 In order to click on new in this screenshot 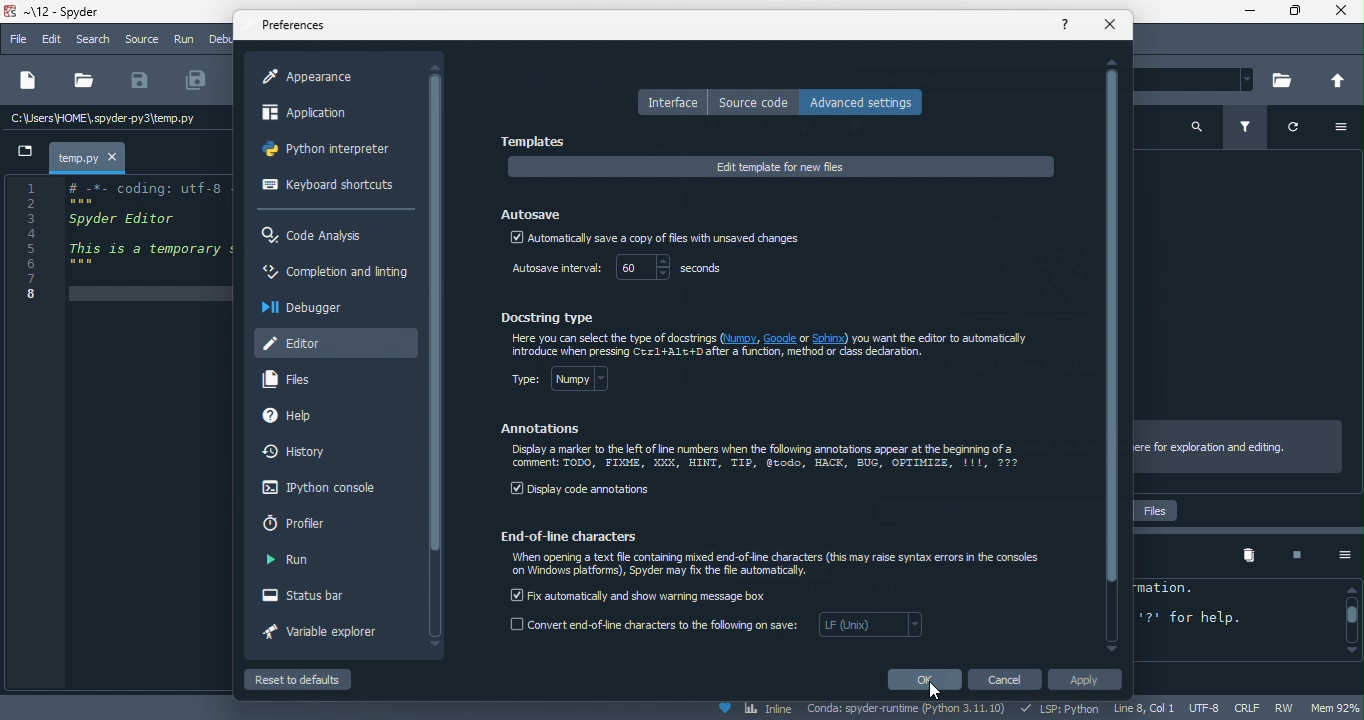, I will do `click(26, 82)`.